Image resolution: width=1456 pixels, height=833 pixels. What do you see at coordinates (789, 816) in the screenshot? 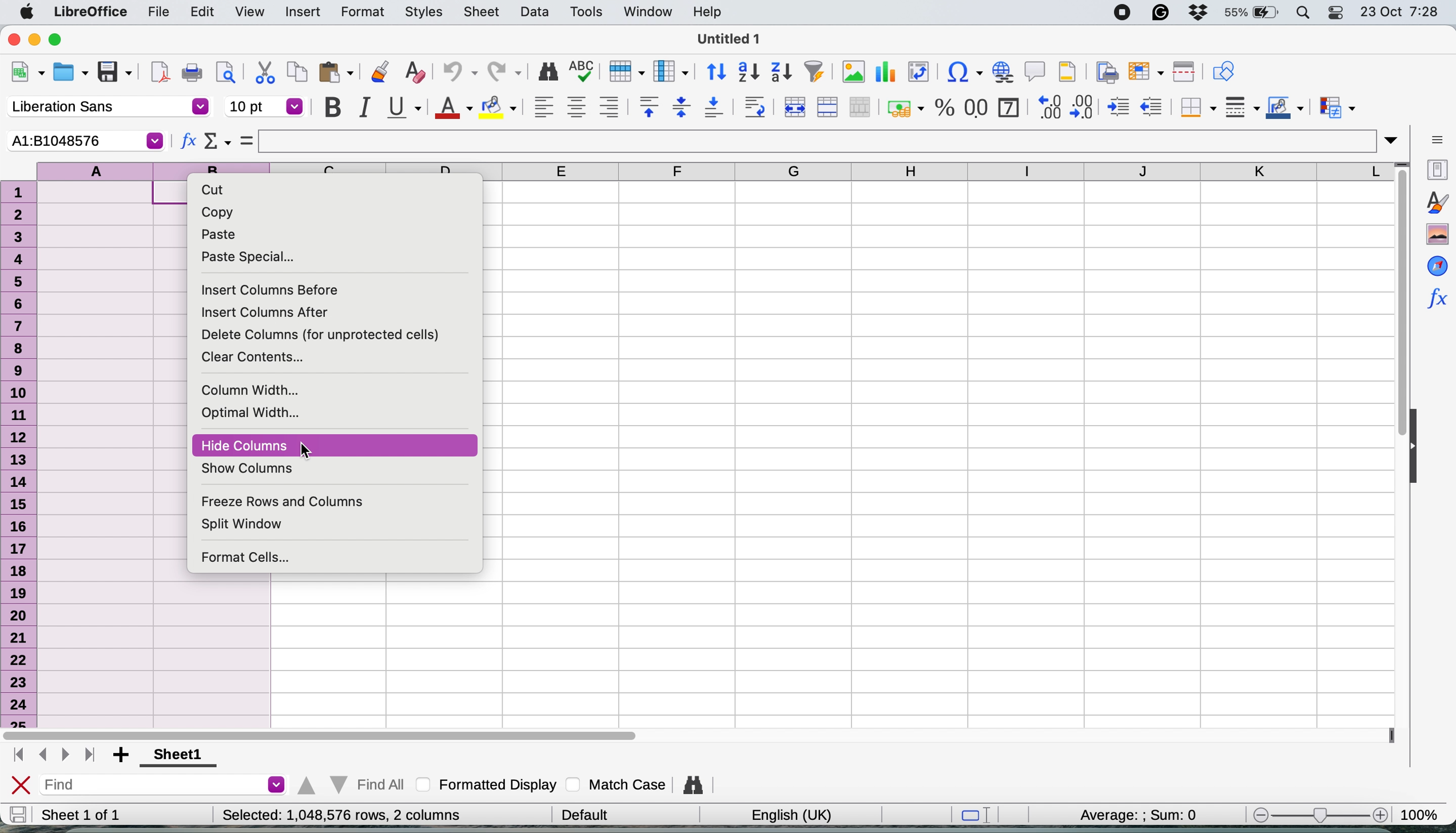
I see `english uk` at bounding box center [789, 816].